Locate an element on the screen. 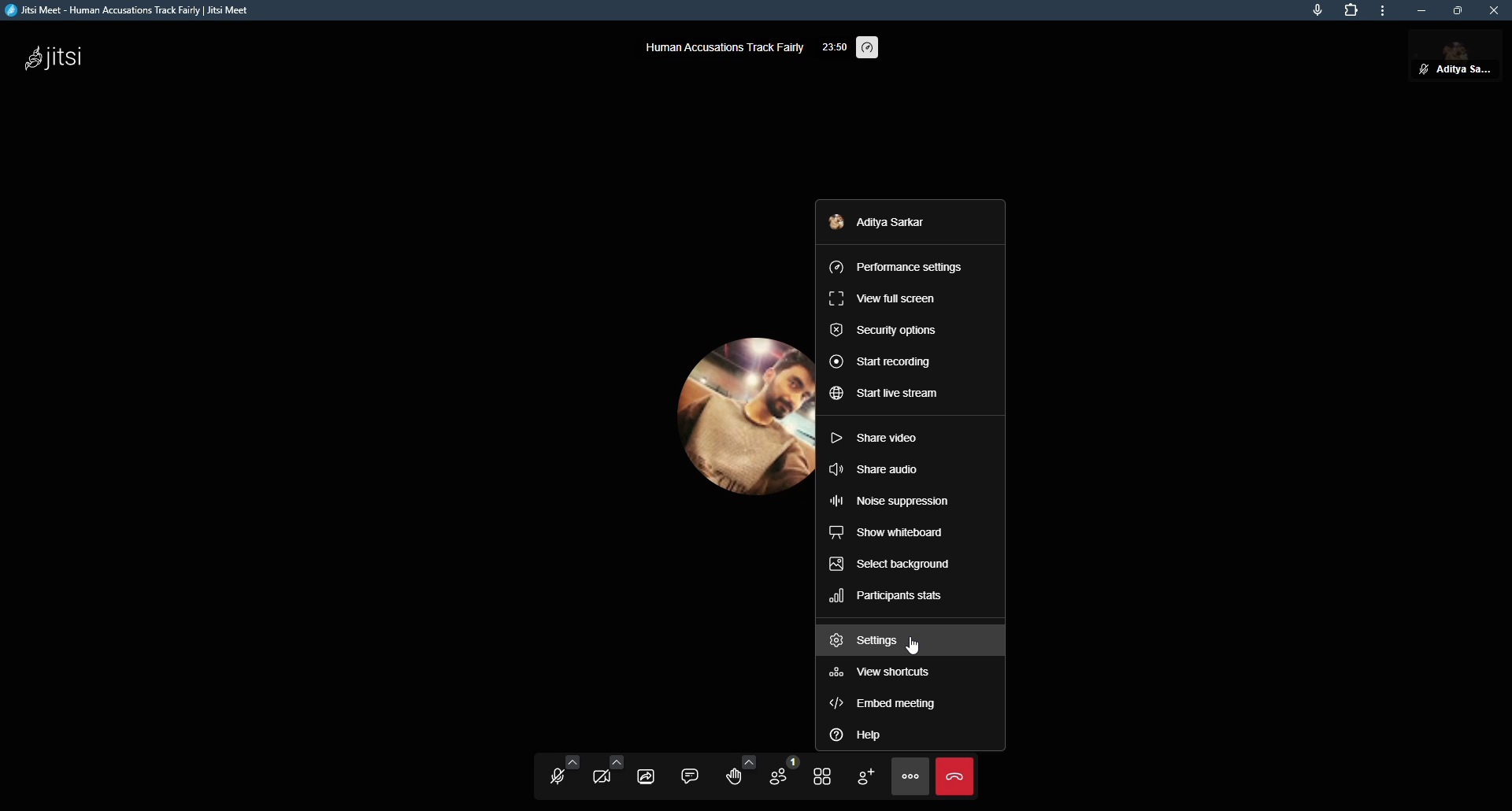 This screenshot has height=811, width=1512. view full screen is located at coordinates (880, 298).